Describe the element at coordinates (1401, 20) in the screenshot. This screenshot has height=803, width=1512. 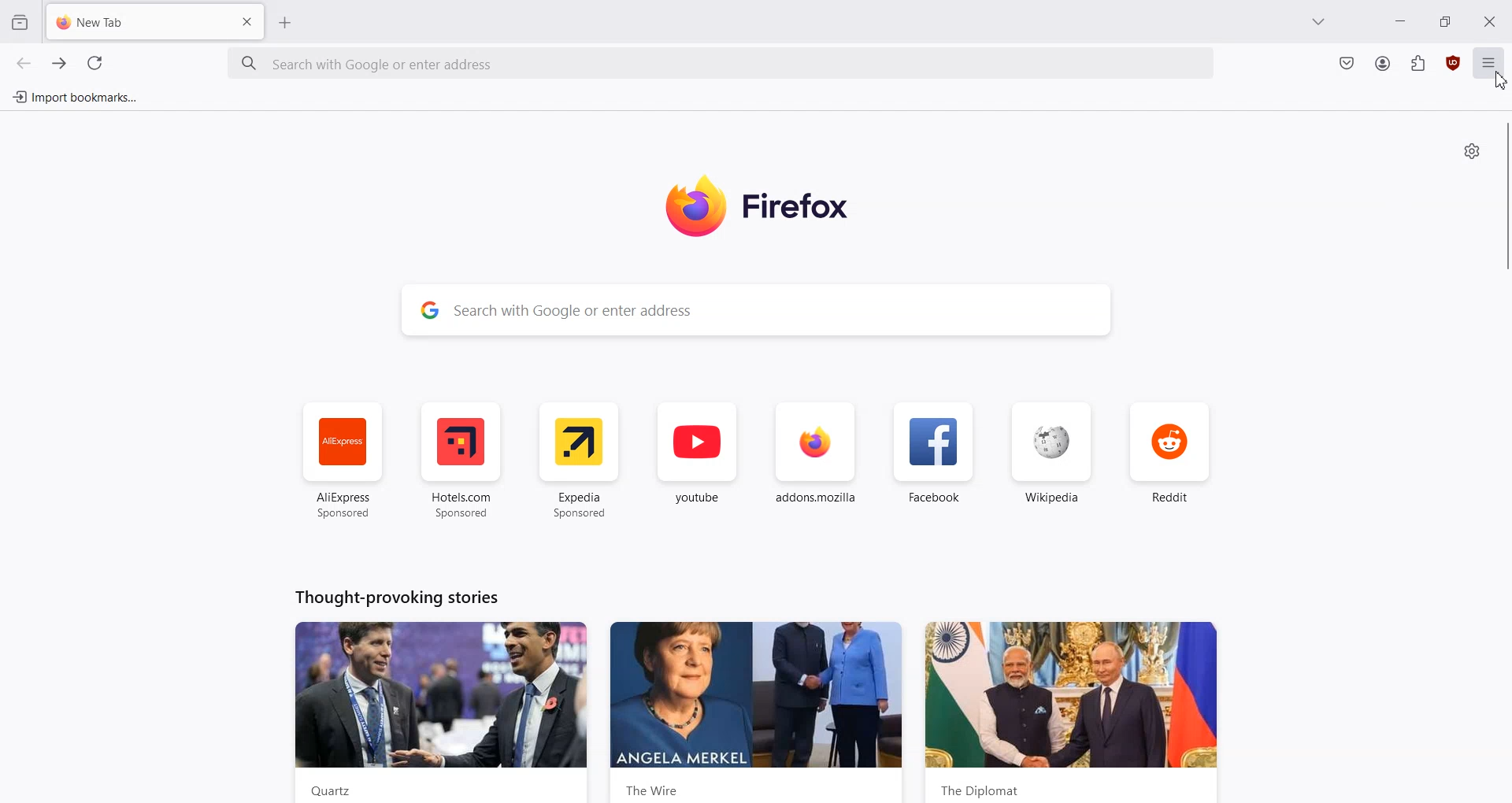
I see `Minimize` at that location.